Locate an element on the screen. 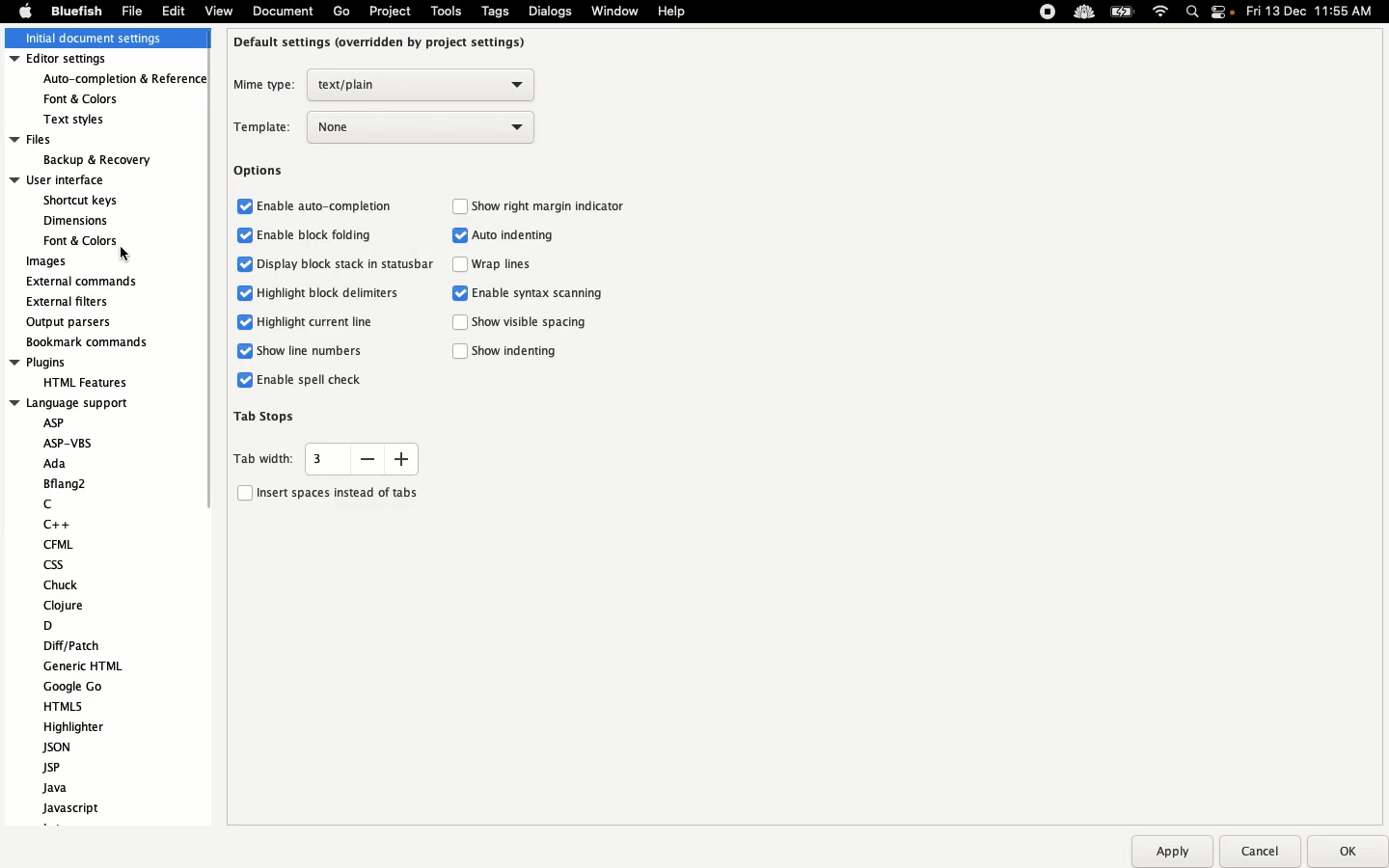 The height and width of the screenshot is (868, 1389). Bookmark recommends is located at coordinates (89, 340).